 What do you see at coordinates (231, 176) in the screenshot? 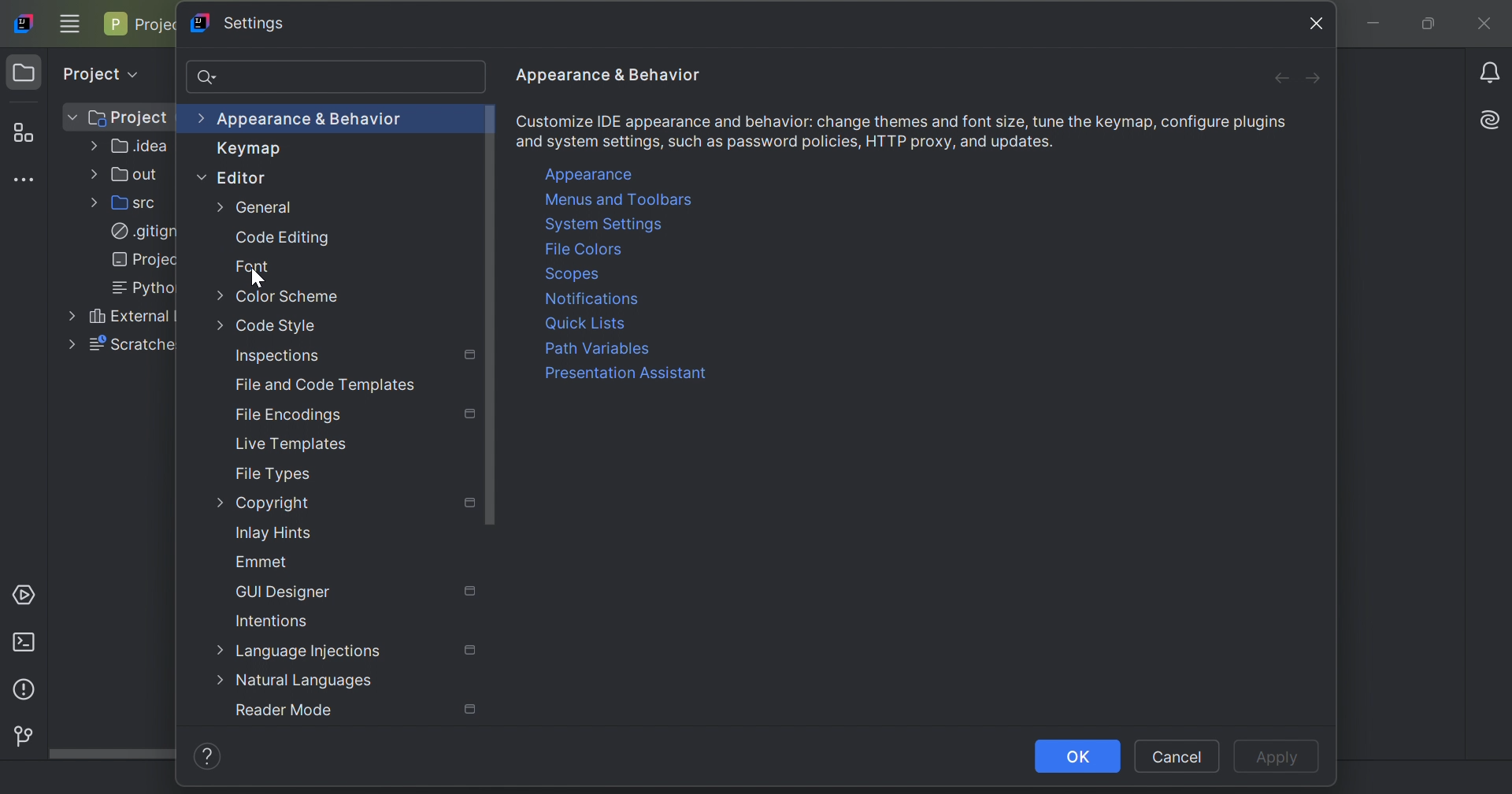
I see `Editor` at bounding box center [231, 176].